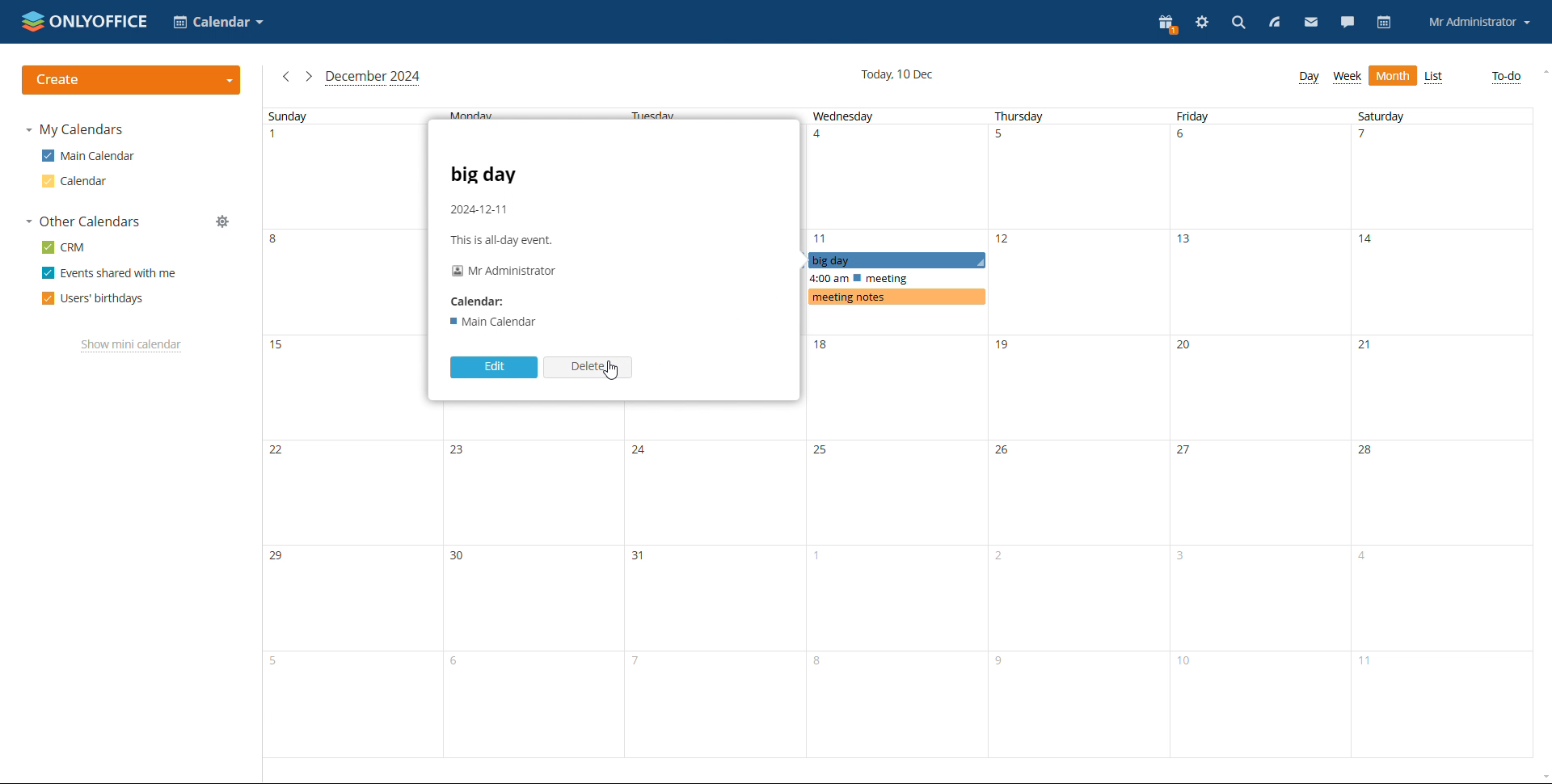  I want to click on next month, so click(309, 76).